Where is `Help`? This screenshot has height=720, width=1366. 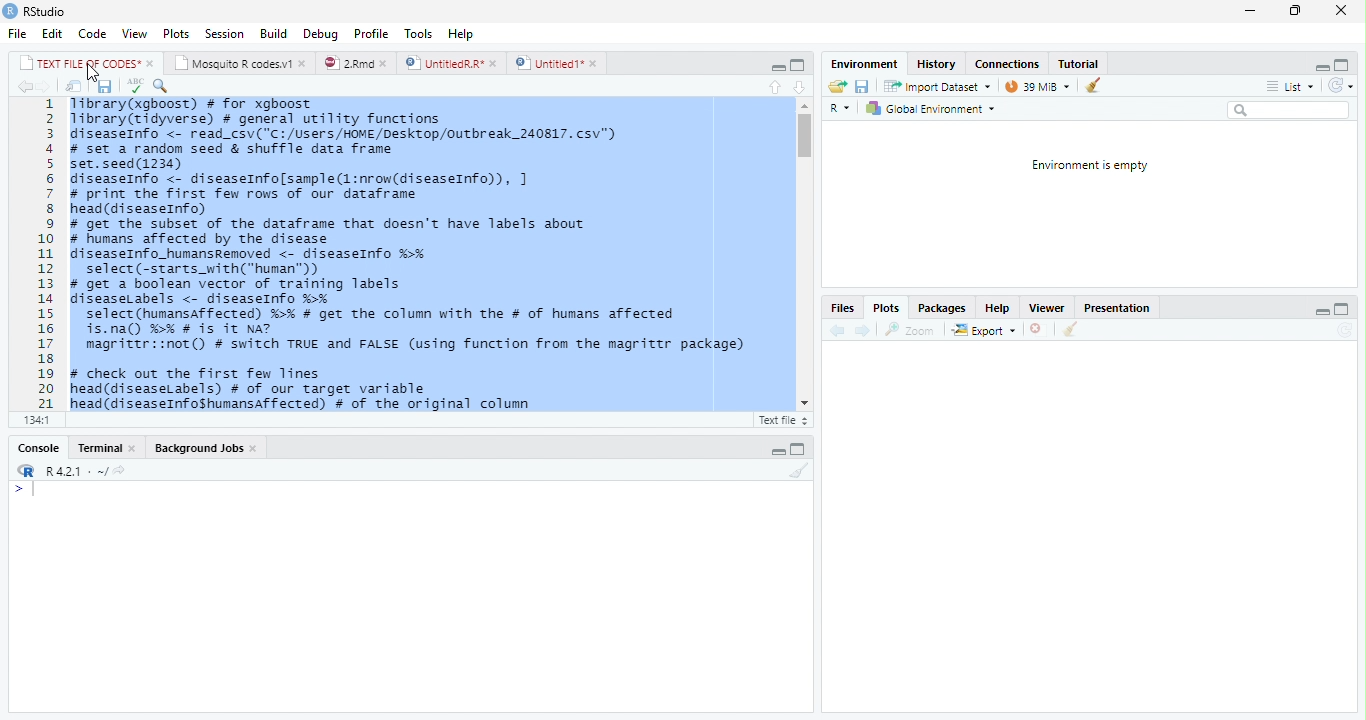
Help is located at coordinates (995, 307).